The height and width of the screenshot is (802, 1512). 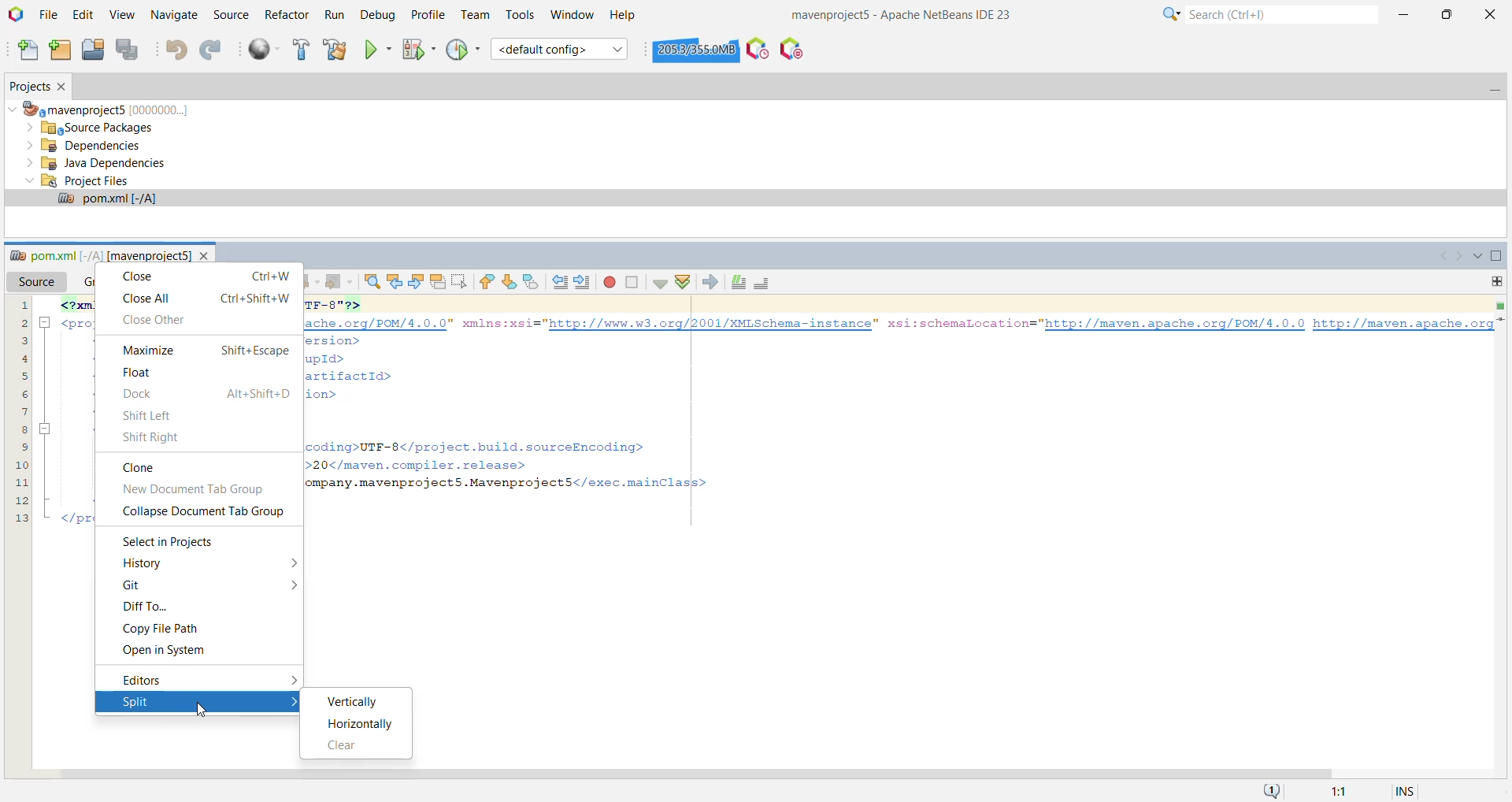 What do you see at coordinates (609, 283) in the screenshot?
I see `Start Macro Recording` at bounding box center [609, 283].